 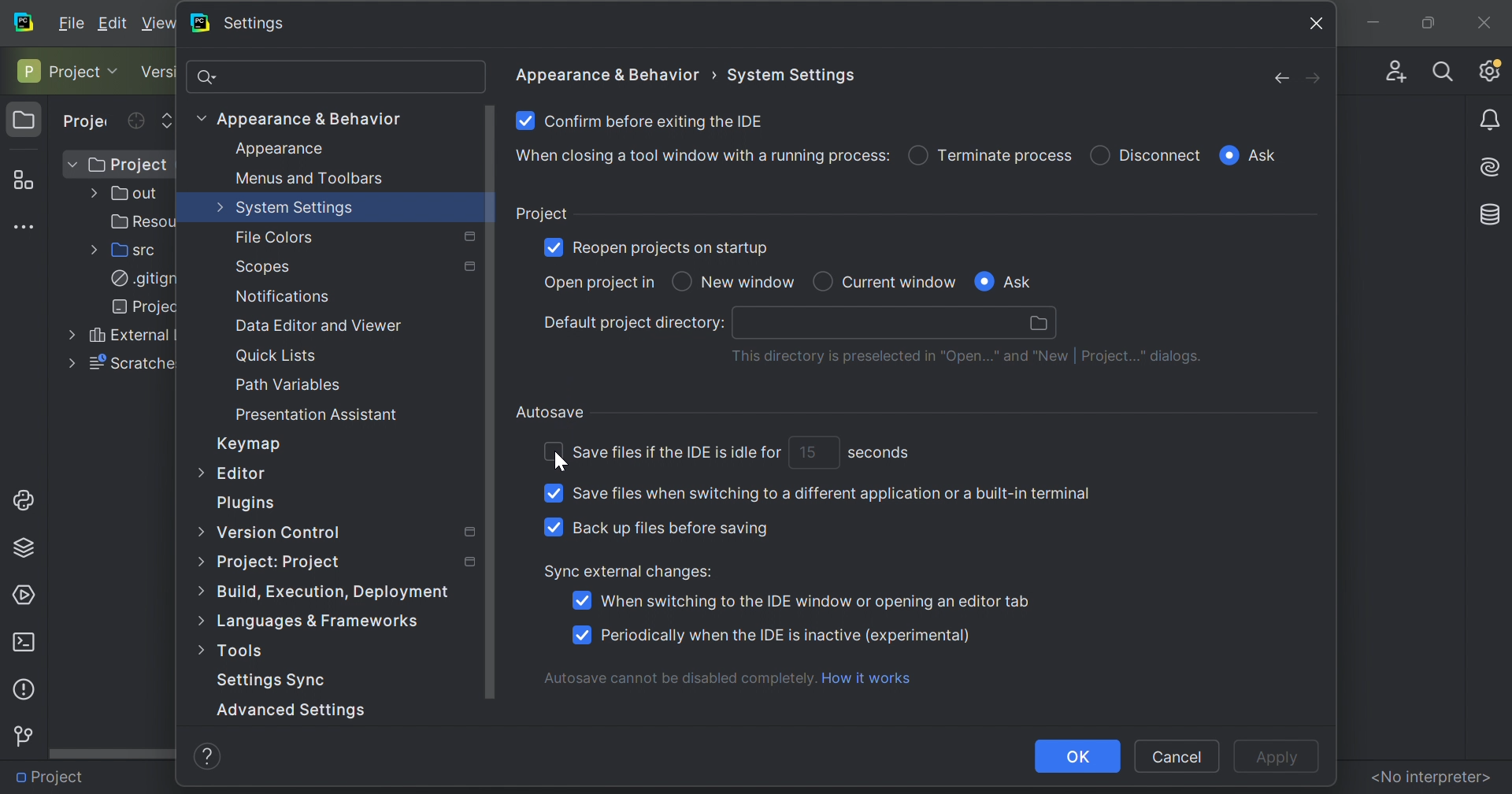 I want to click on Code with me, so click(x=1392, y=67).